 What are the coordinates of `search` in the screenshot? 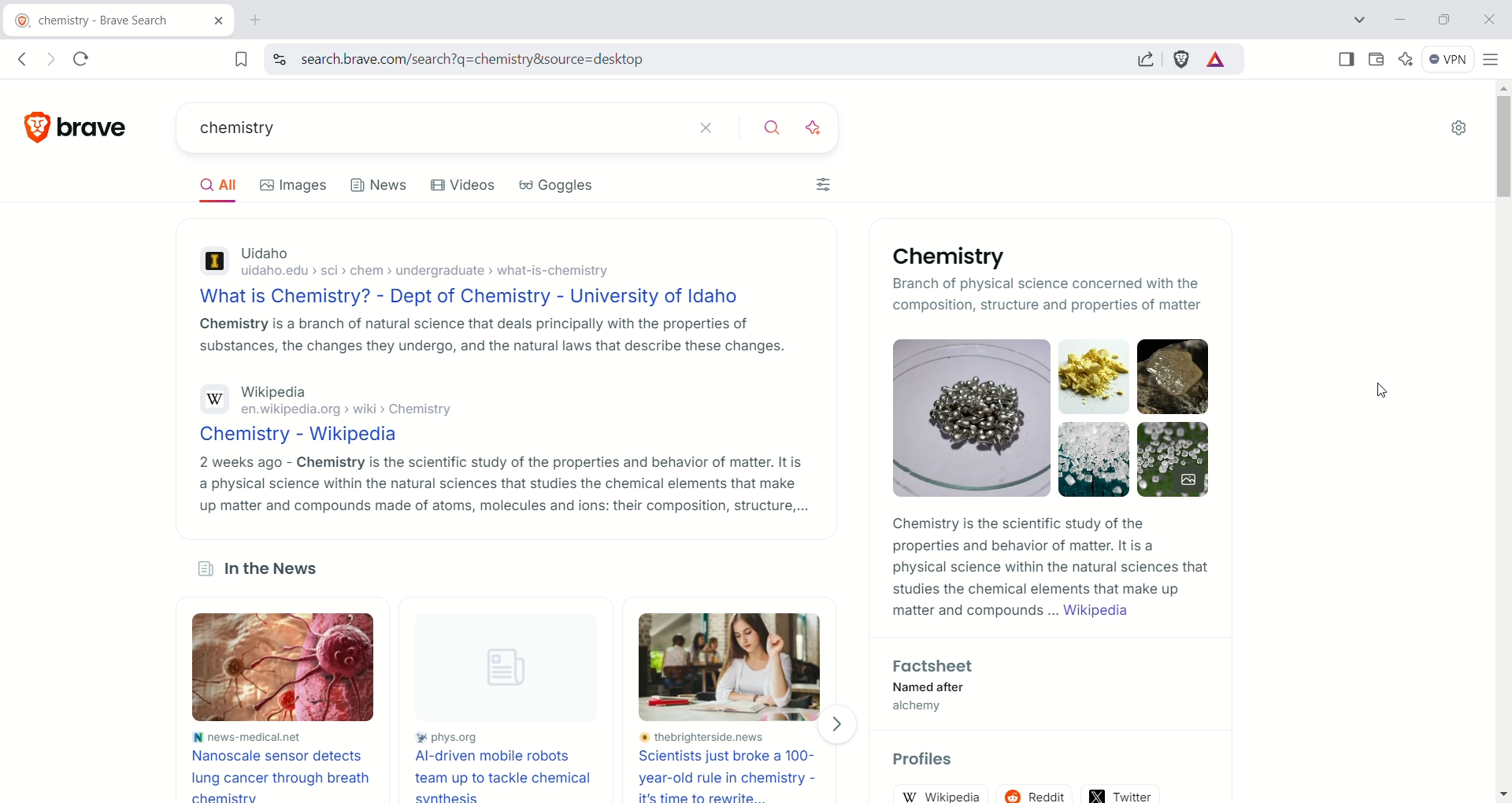 It's located at (774, 125).